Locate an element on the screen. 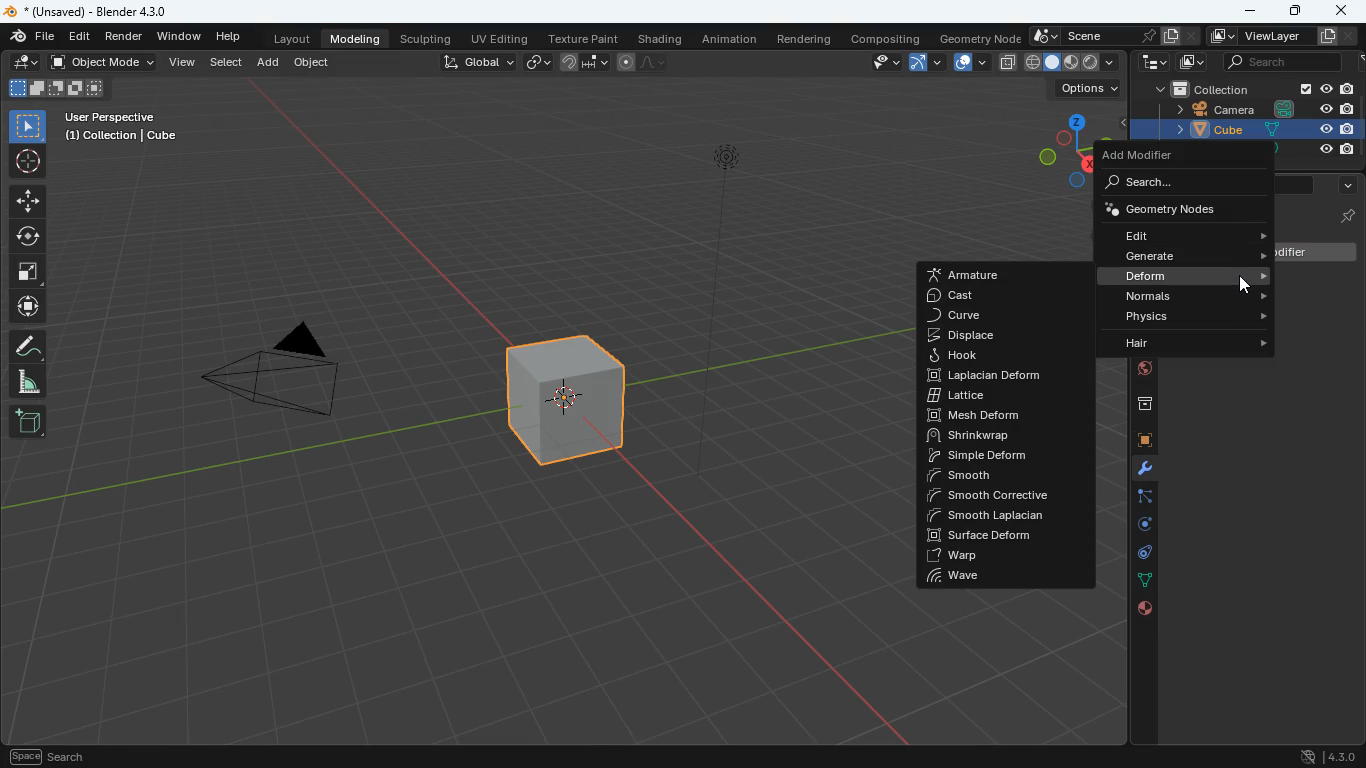 The width and height of the screenshot is (1366, 768). rotation is located at coordinates (1135, 526).